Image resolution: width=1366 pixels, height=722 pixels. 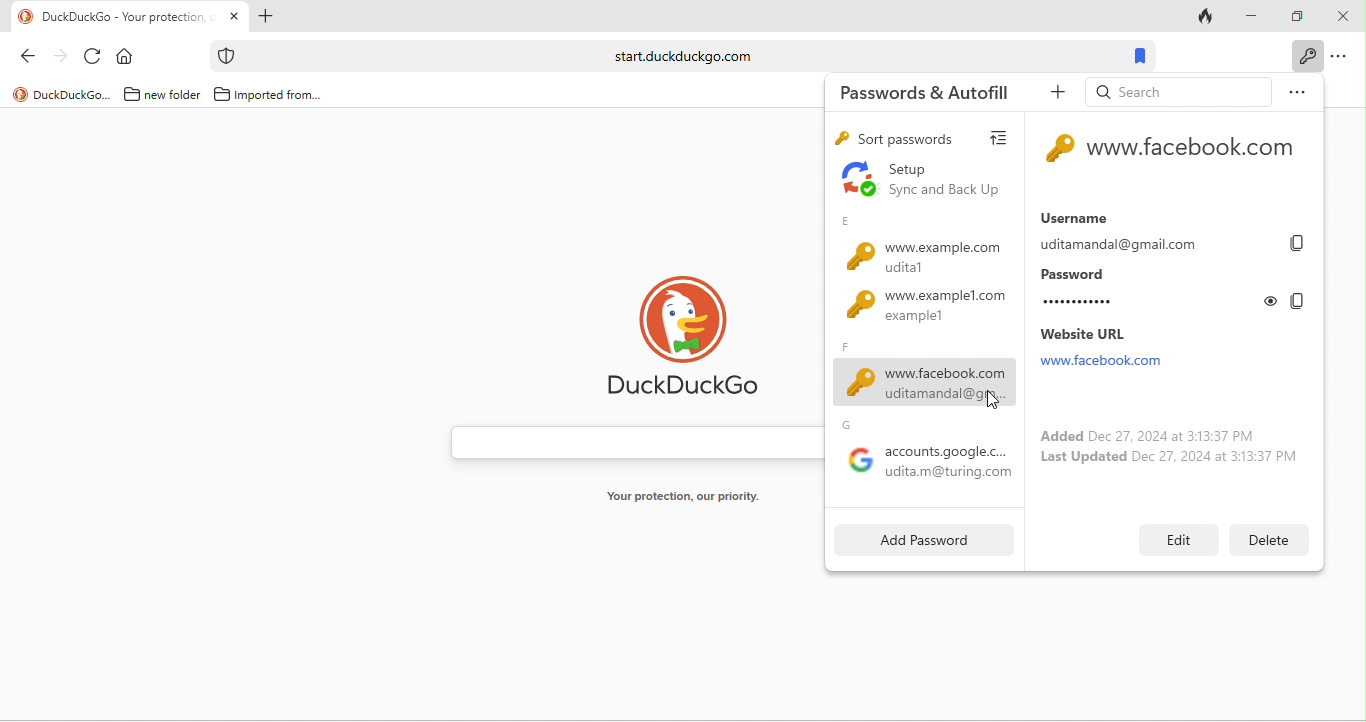 I want to click on option, so click(x=1343, y=58).